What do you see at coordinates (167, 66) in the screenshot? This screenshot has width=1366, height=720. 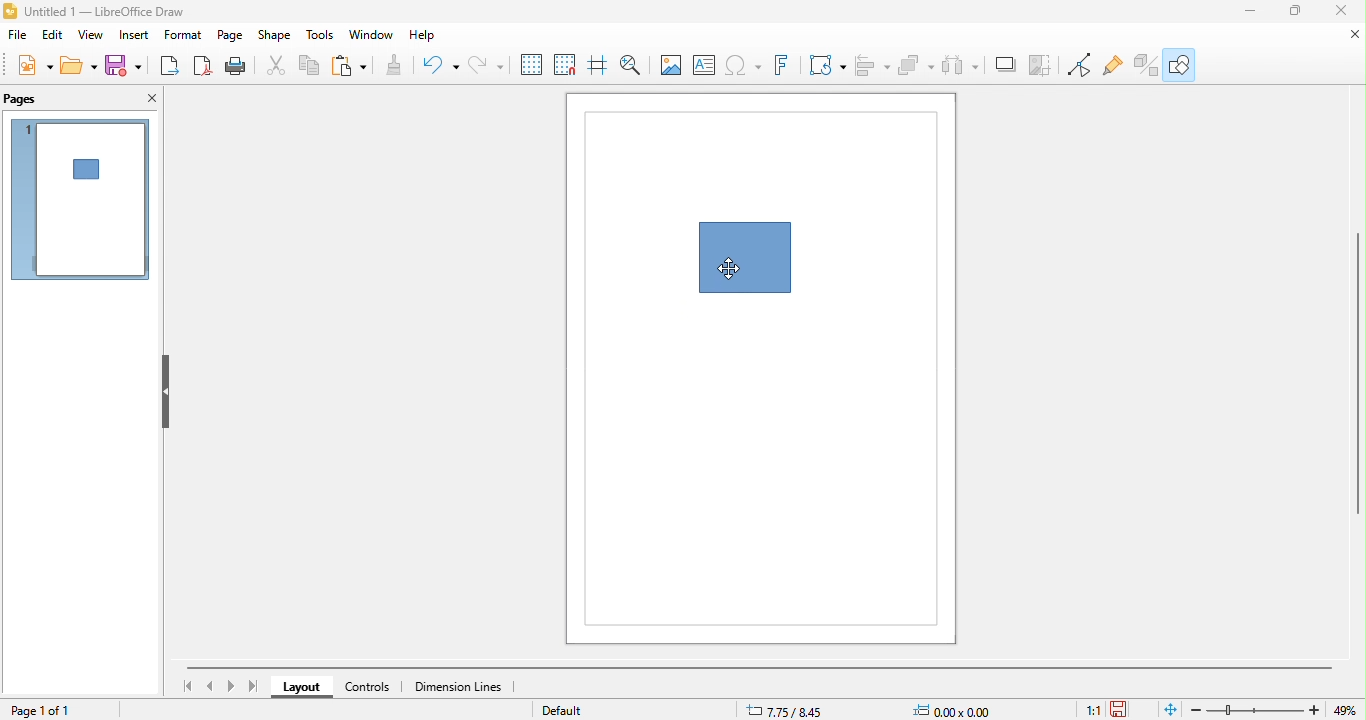 I see `export` at bounding box center [167, 66].